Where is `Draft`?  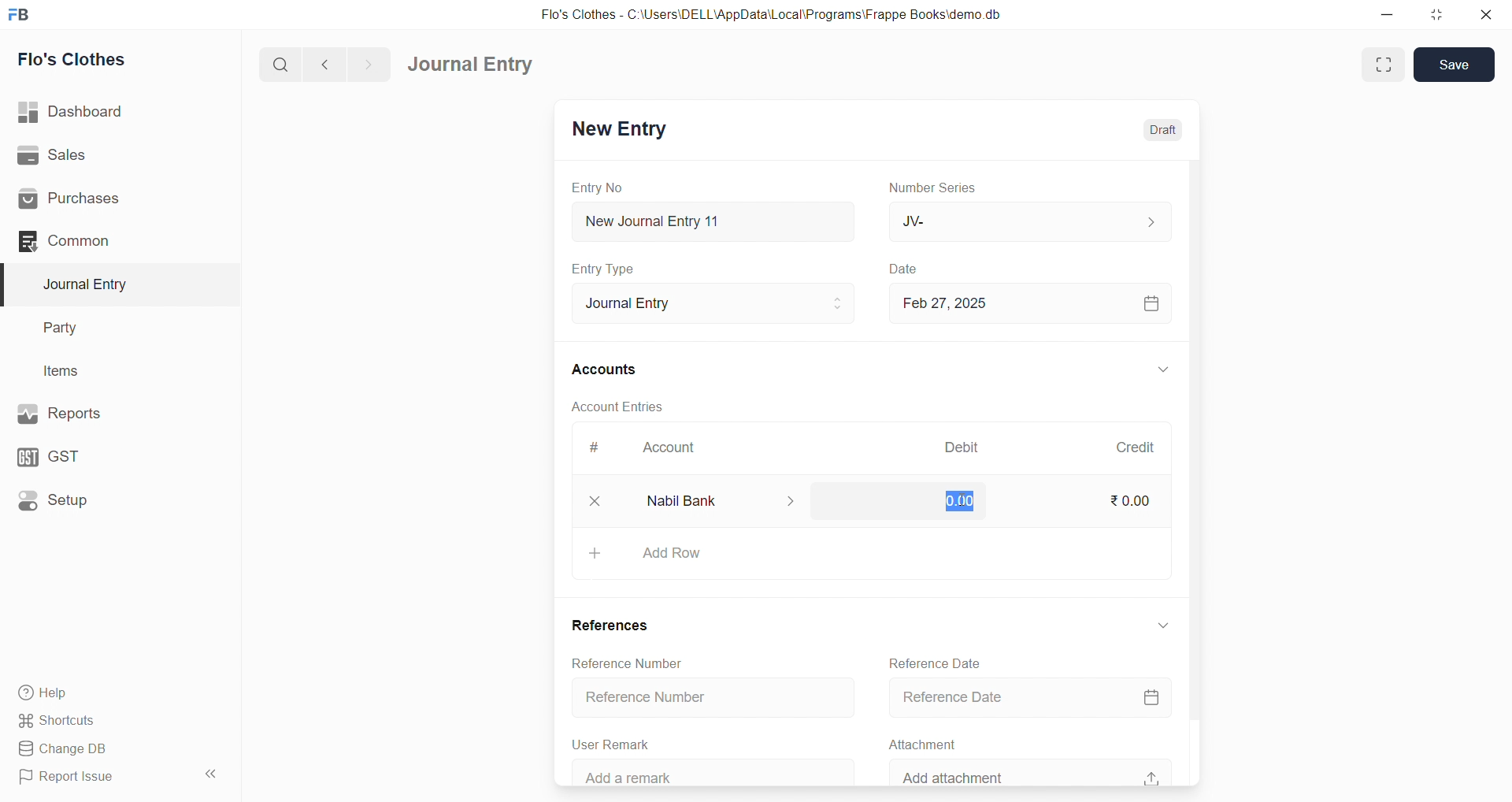
Draft is located at coordinates (1164, 129).